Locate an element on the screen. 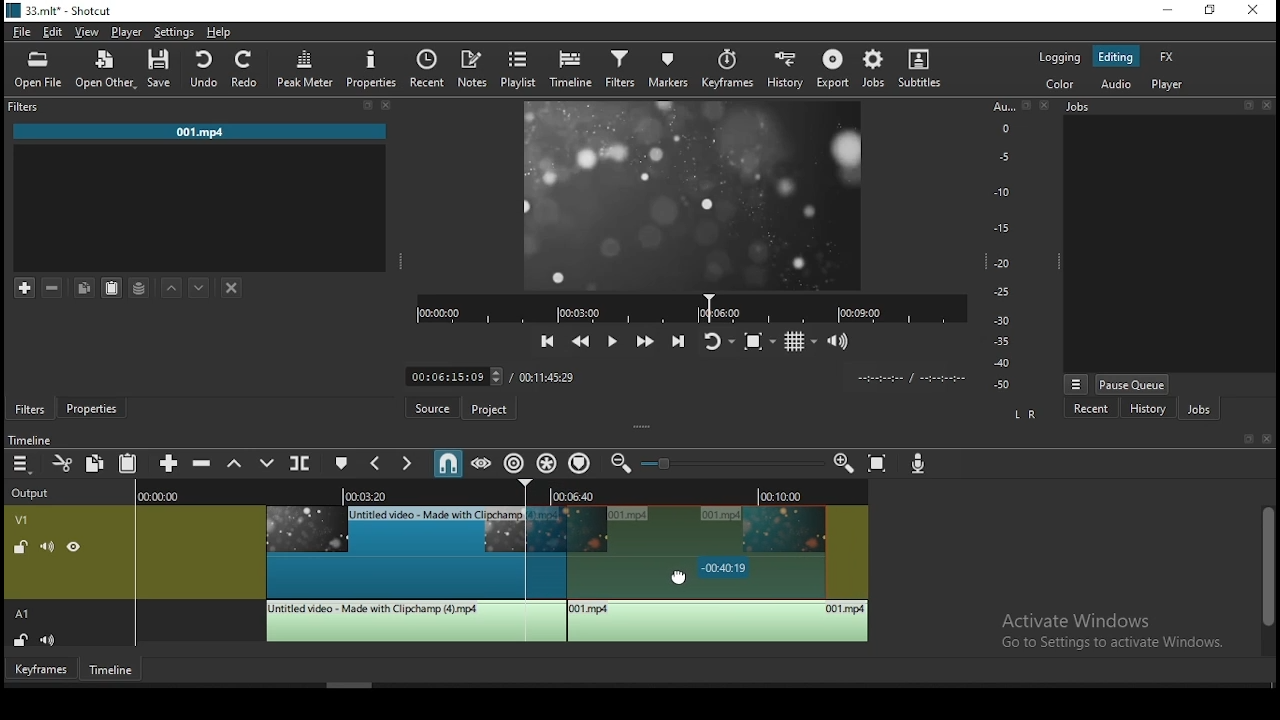 The height and width of the screenshot is (720, 1280). zoom in or zoom out slider is located at coordinates (734, 463).